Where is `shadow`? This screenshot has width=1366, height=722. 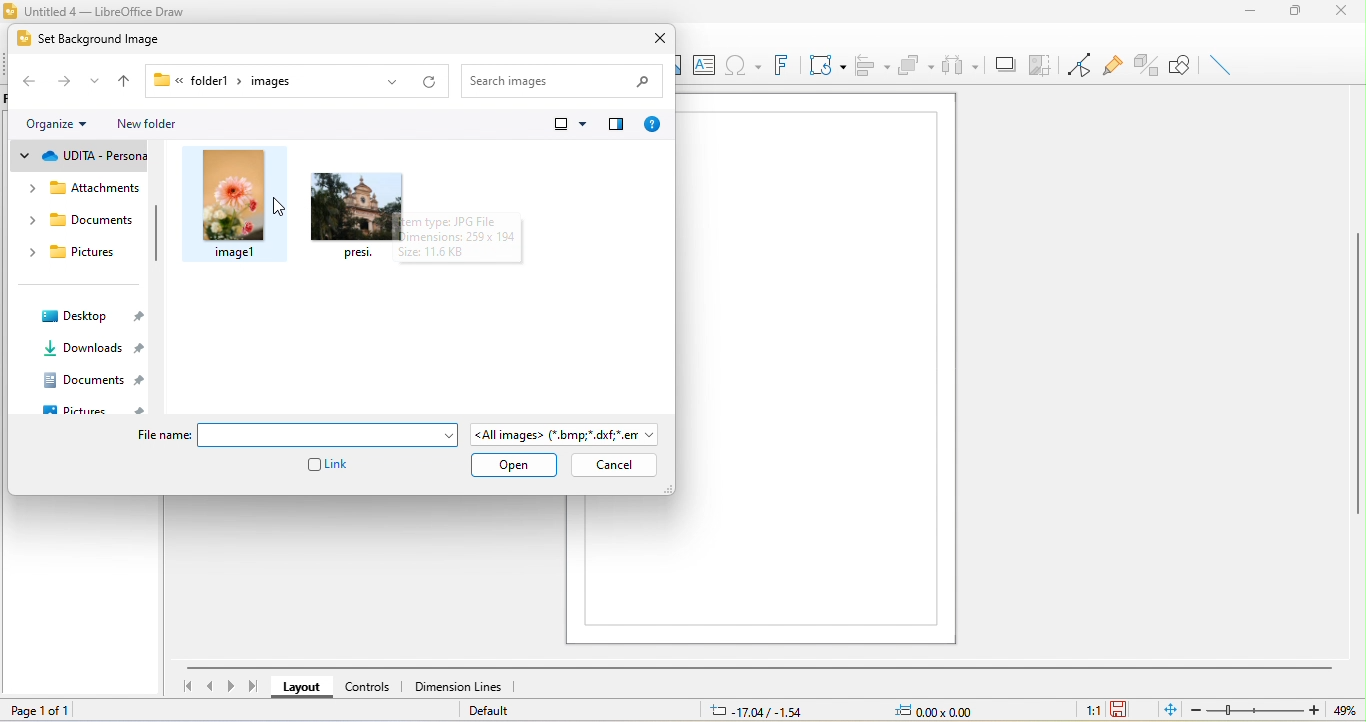 shadow is located at coordinates (1004, 65).